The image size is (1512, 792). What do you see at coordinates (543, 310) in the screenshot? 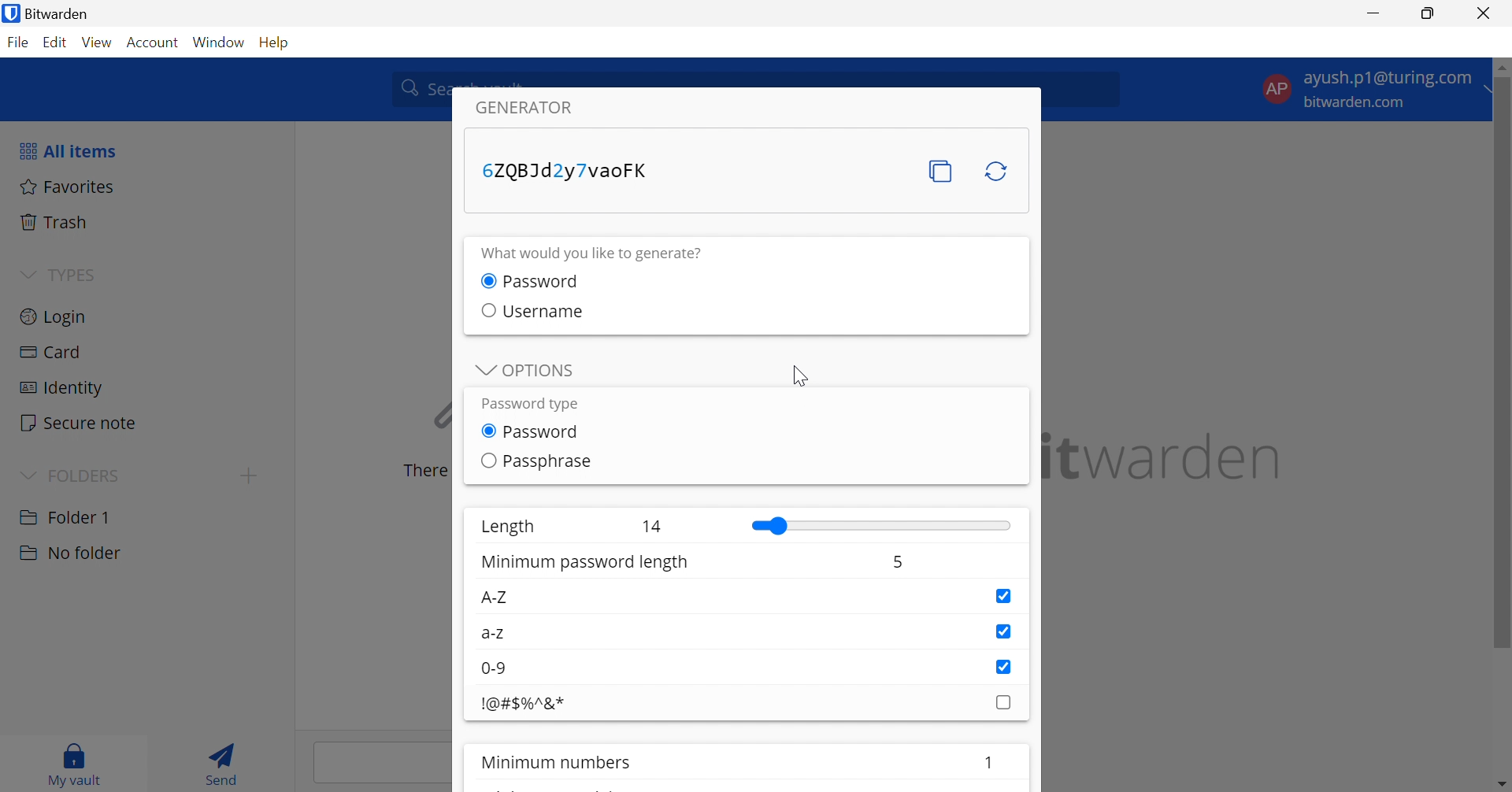
I see `Username` at bounding box center [543, 310].